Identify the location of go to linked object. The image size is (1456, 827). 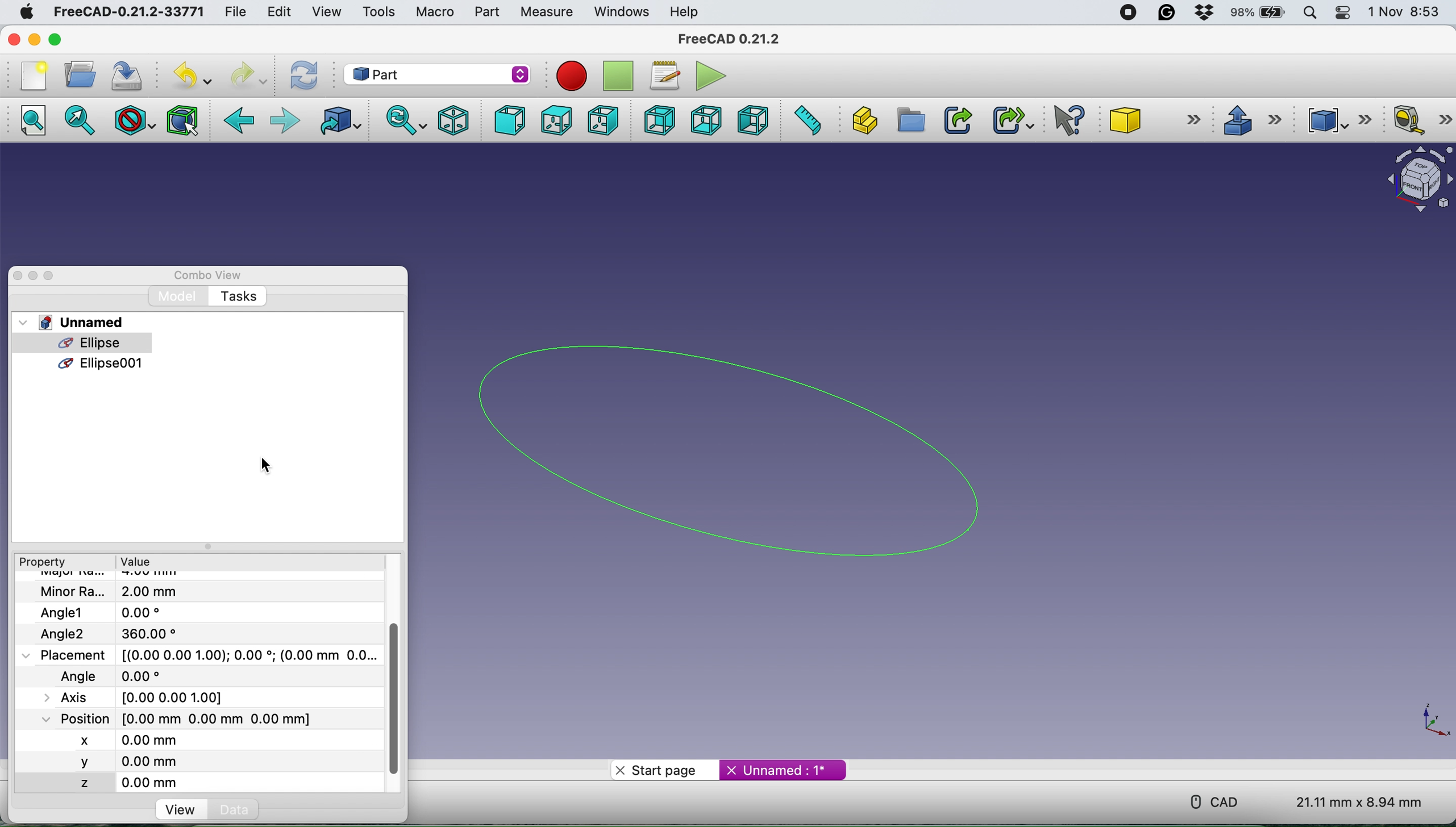
(337, 120).